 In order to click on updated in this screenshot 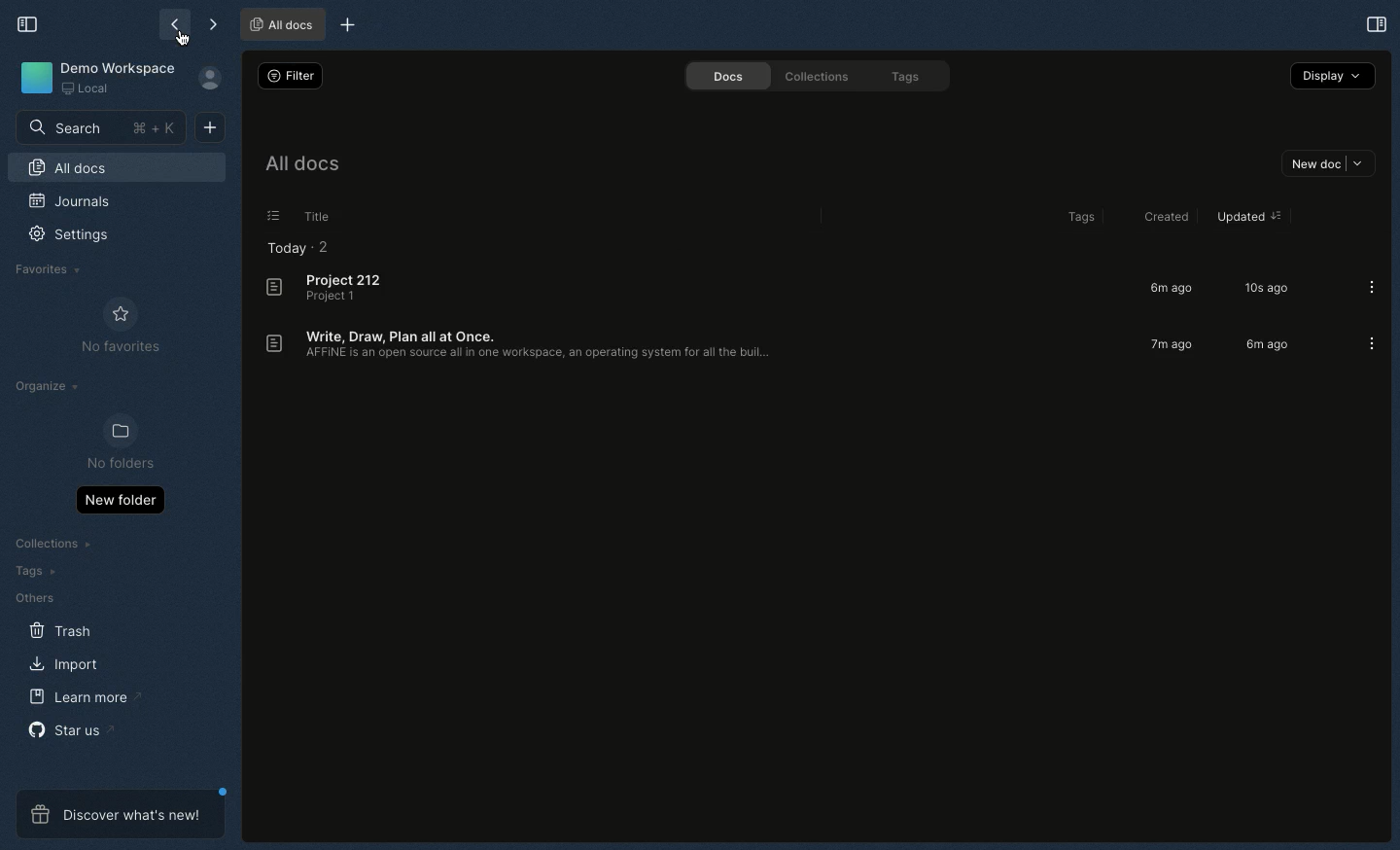, I will do `click(1248, 217)`.